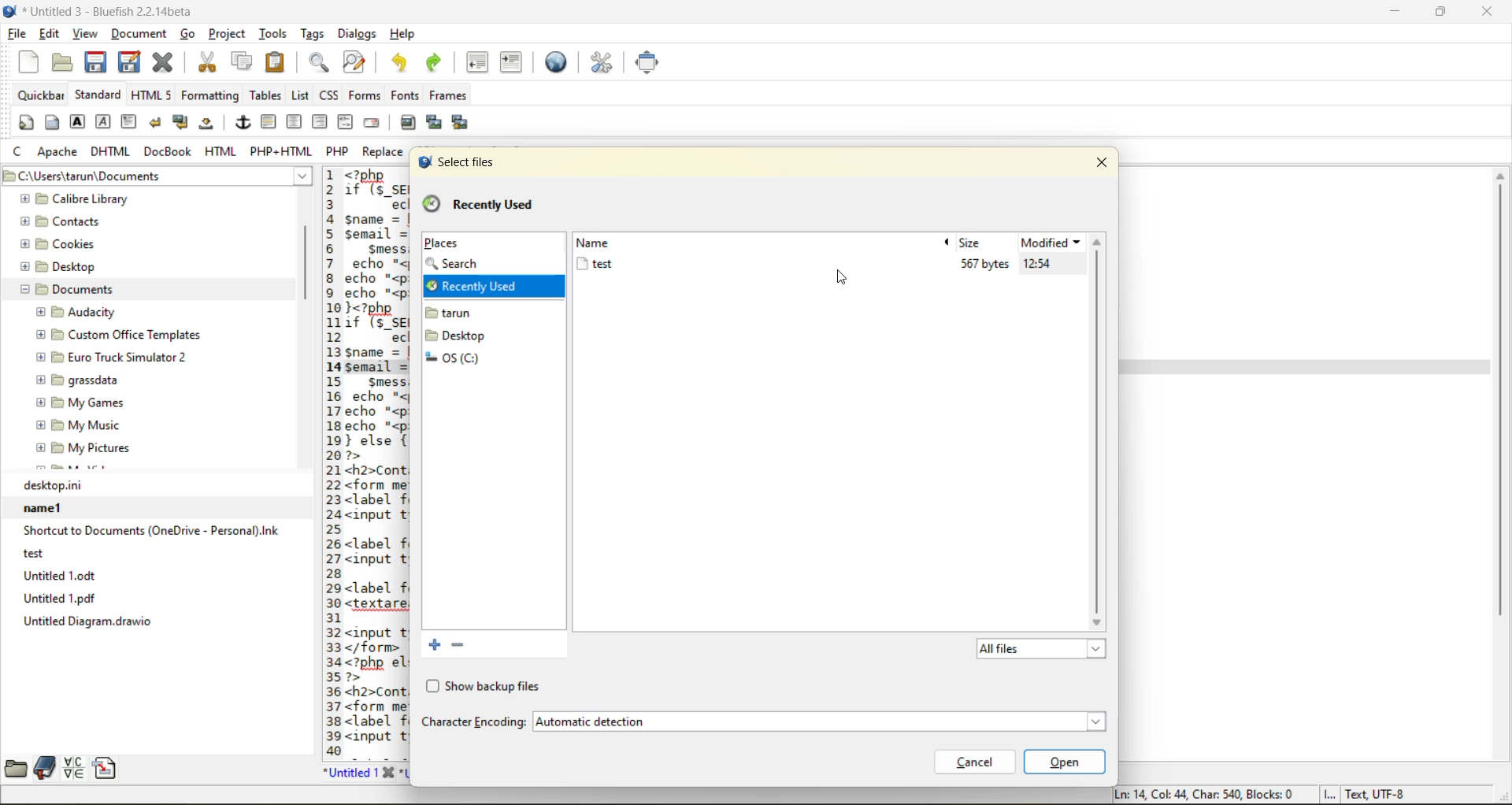 The width and height of the screenshot is (1512, 805). I want to click on dialogs, so click(354, 35).